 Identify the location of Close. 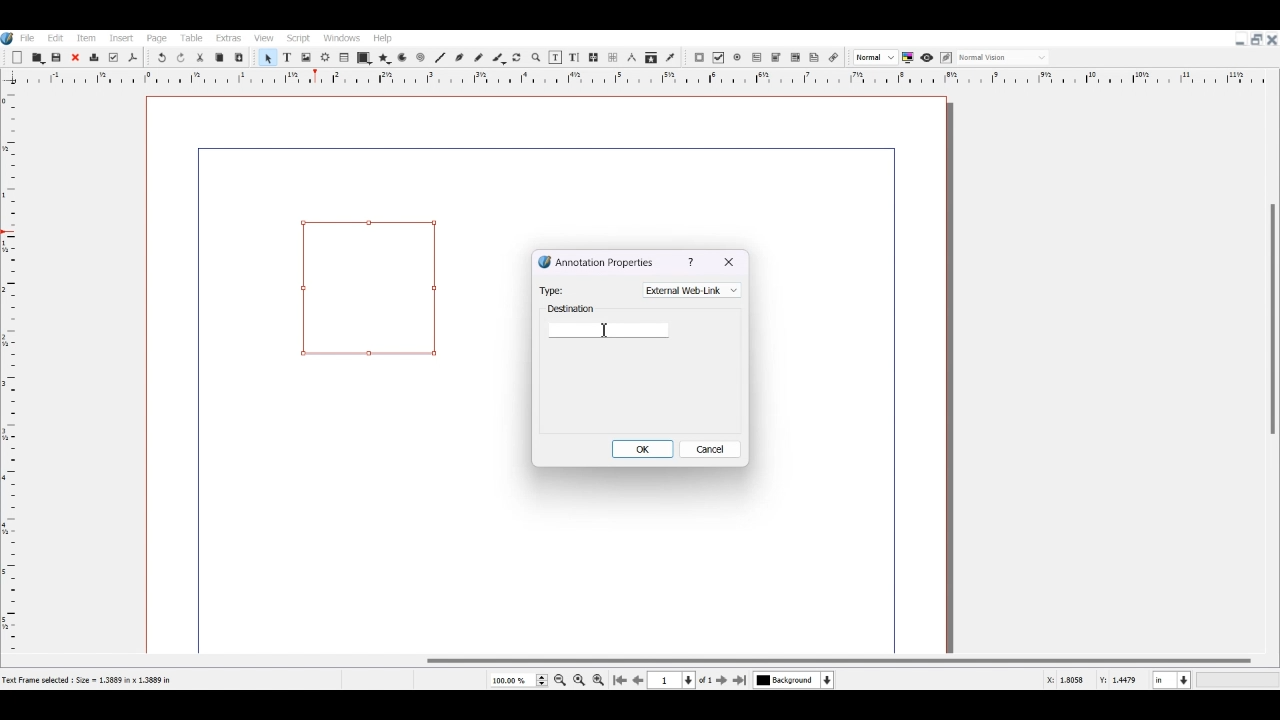
(75, 58).